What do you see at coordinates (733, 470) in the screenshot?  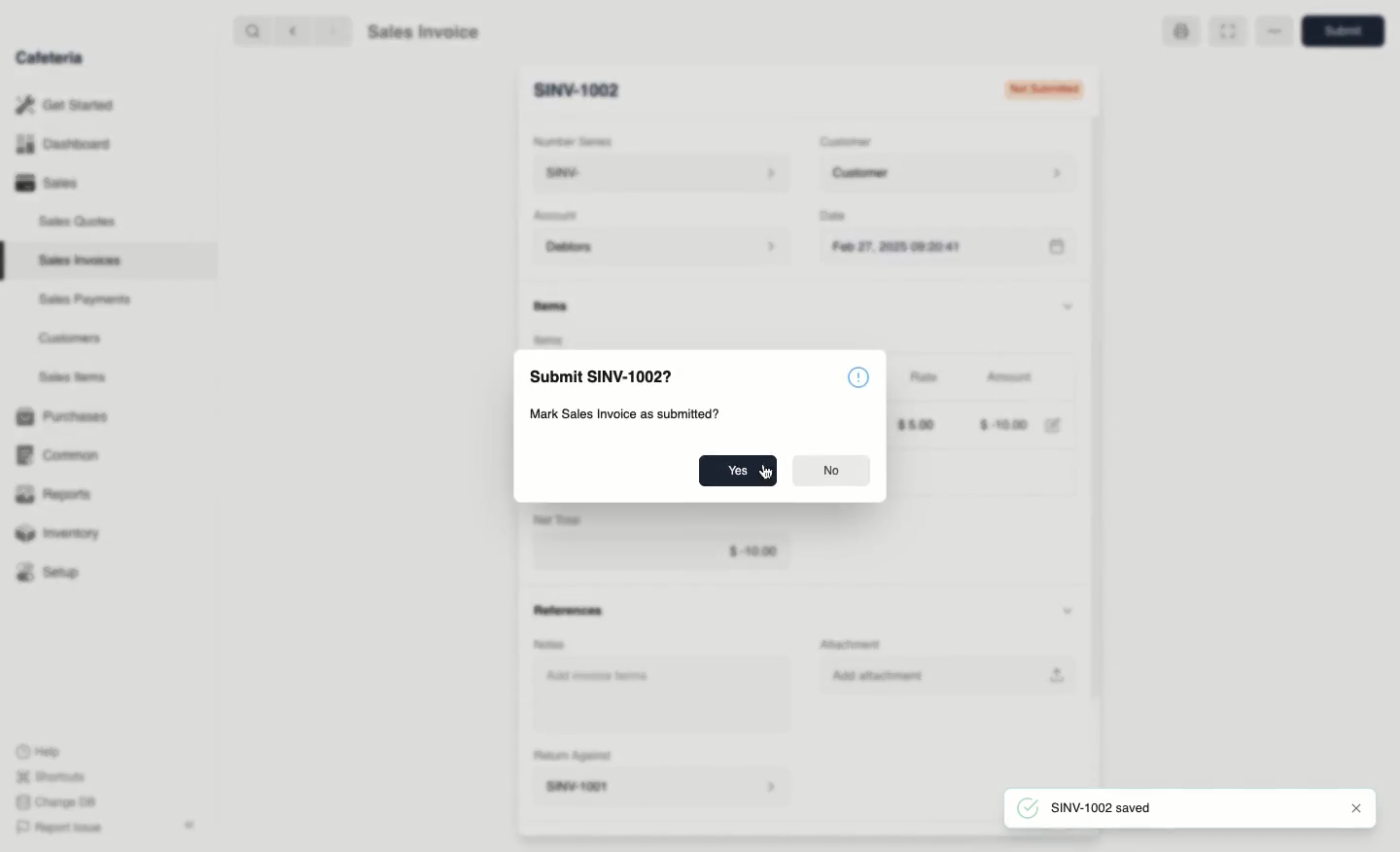 I see `Yes` at bounding box center [733, 470].